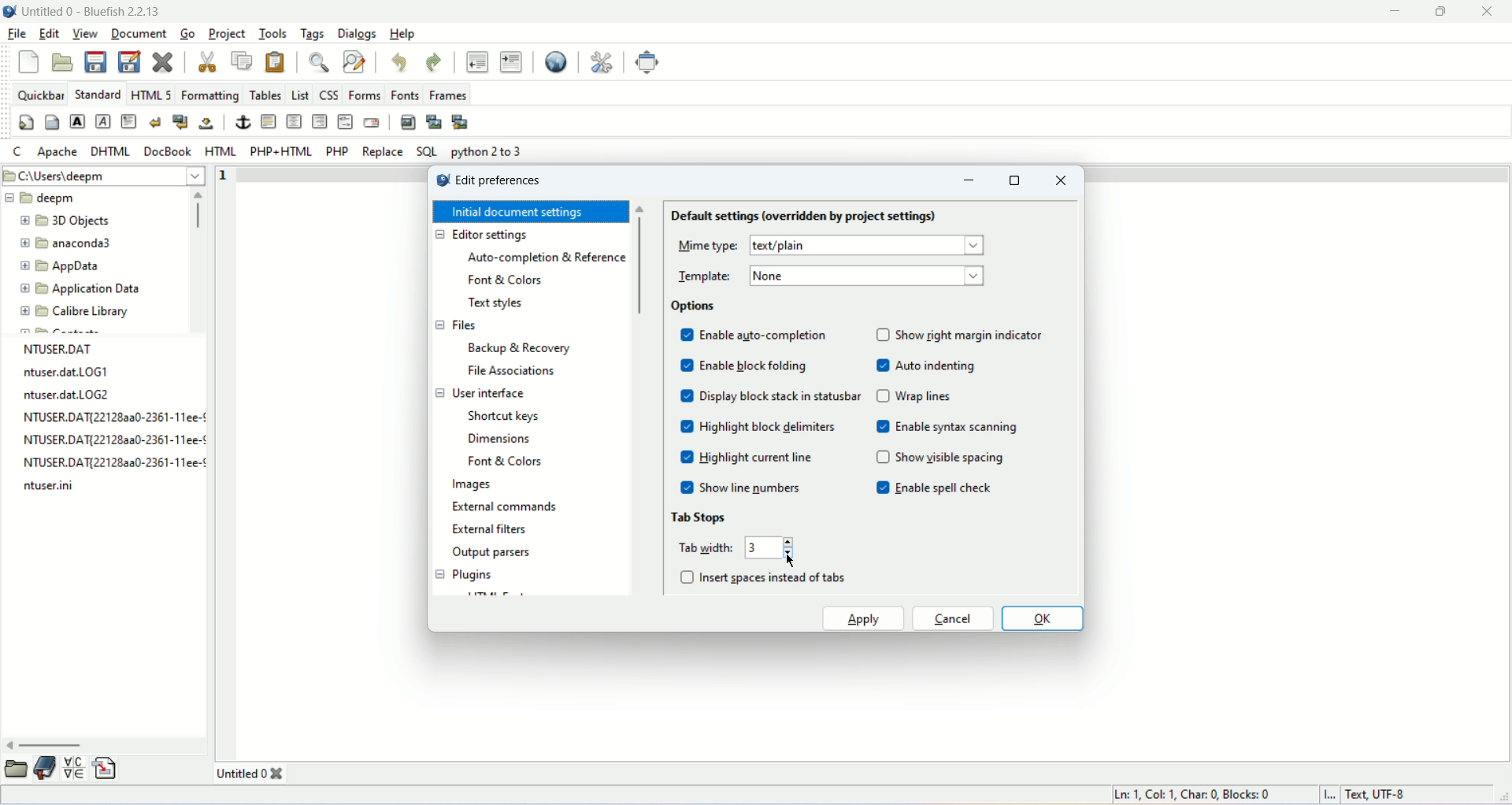 This screenshot has width=1512, height=805. What do you see at coordinates (50, 34) in the screenshot?
I see `edit` at bounding box center [50, 34].